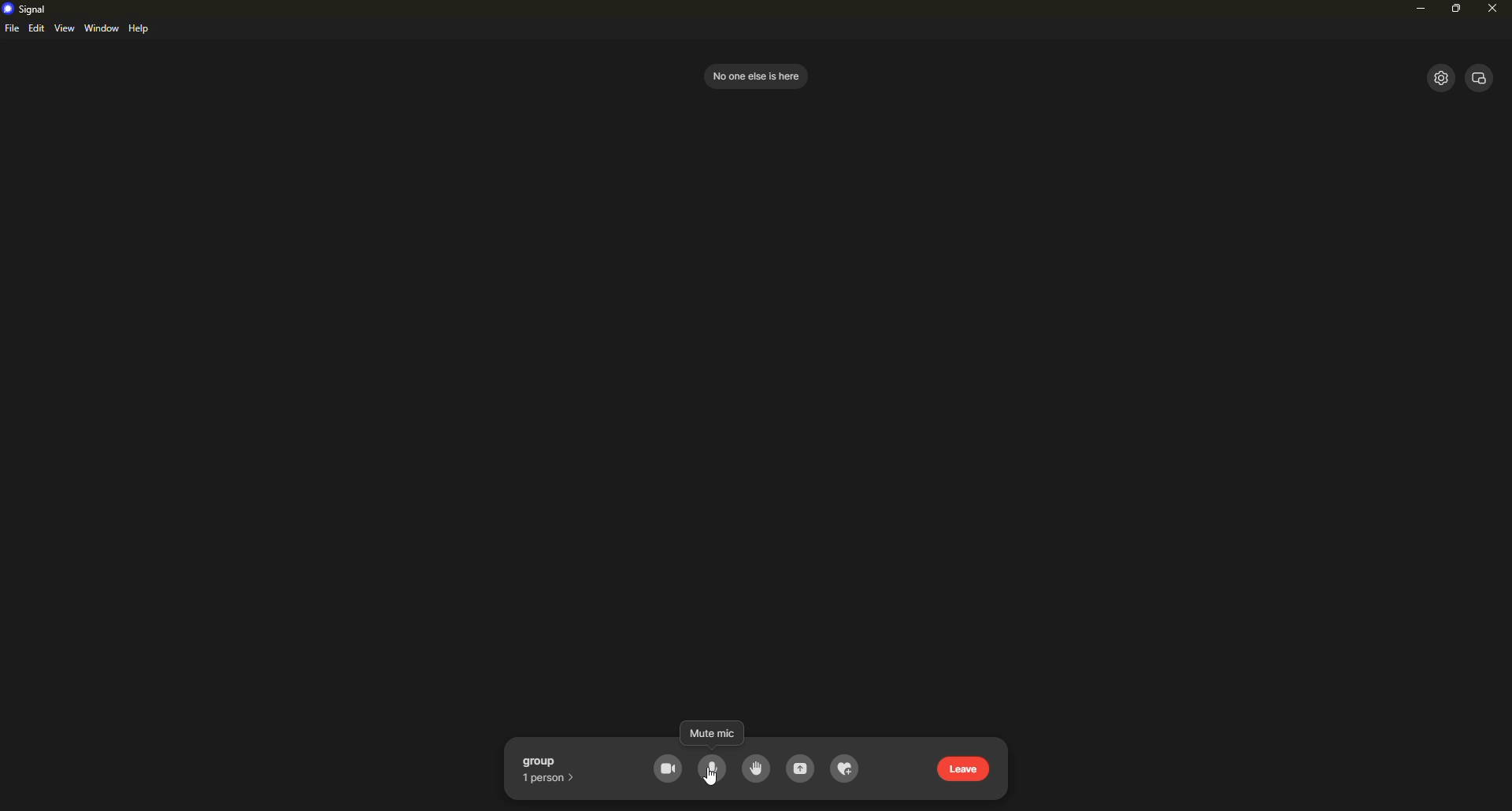  I want to click on raise had, so click(754, 768).